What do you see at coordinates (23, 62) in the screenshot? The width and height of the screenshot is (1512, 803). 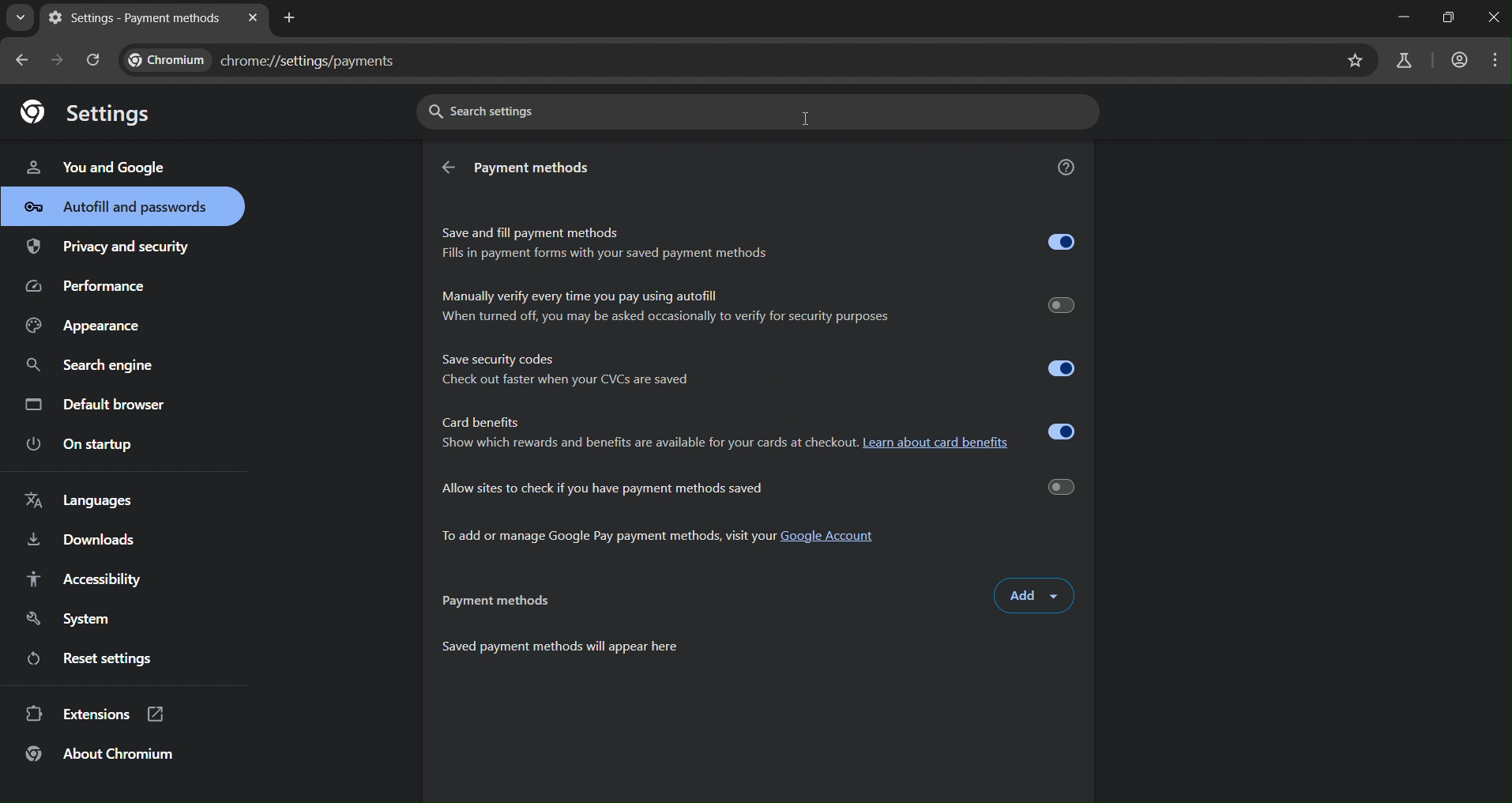 I see `go back one page` at bounding box center [23, 62].